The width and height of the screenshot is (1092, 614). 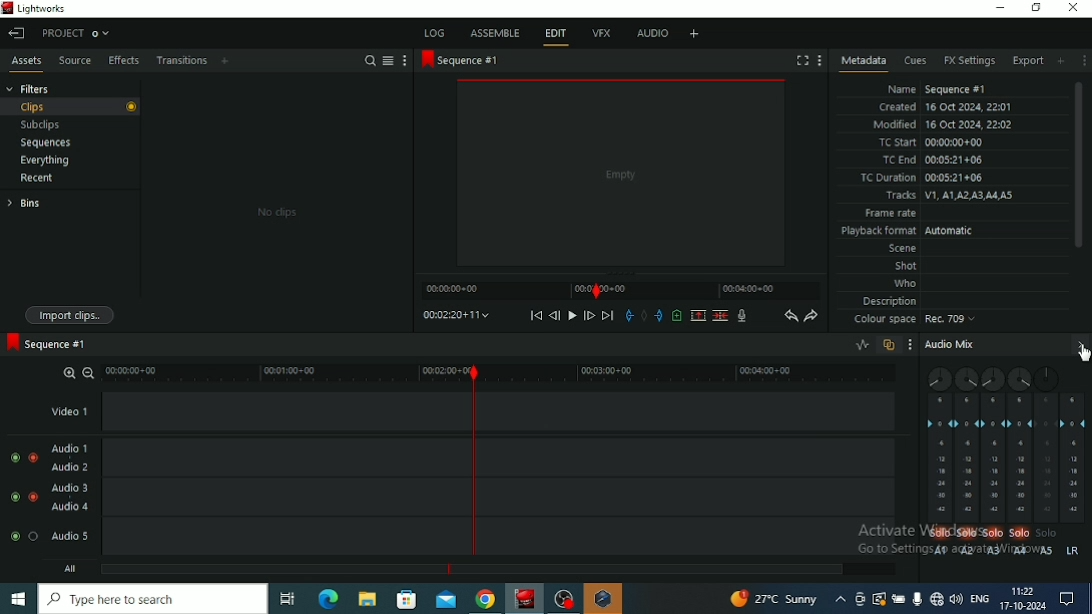 I want to click on Exit the current project and return to the project browser, so click(x=18, y=34).